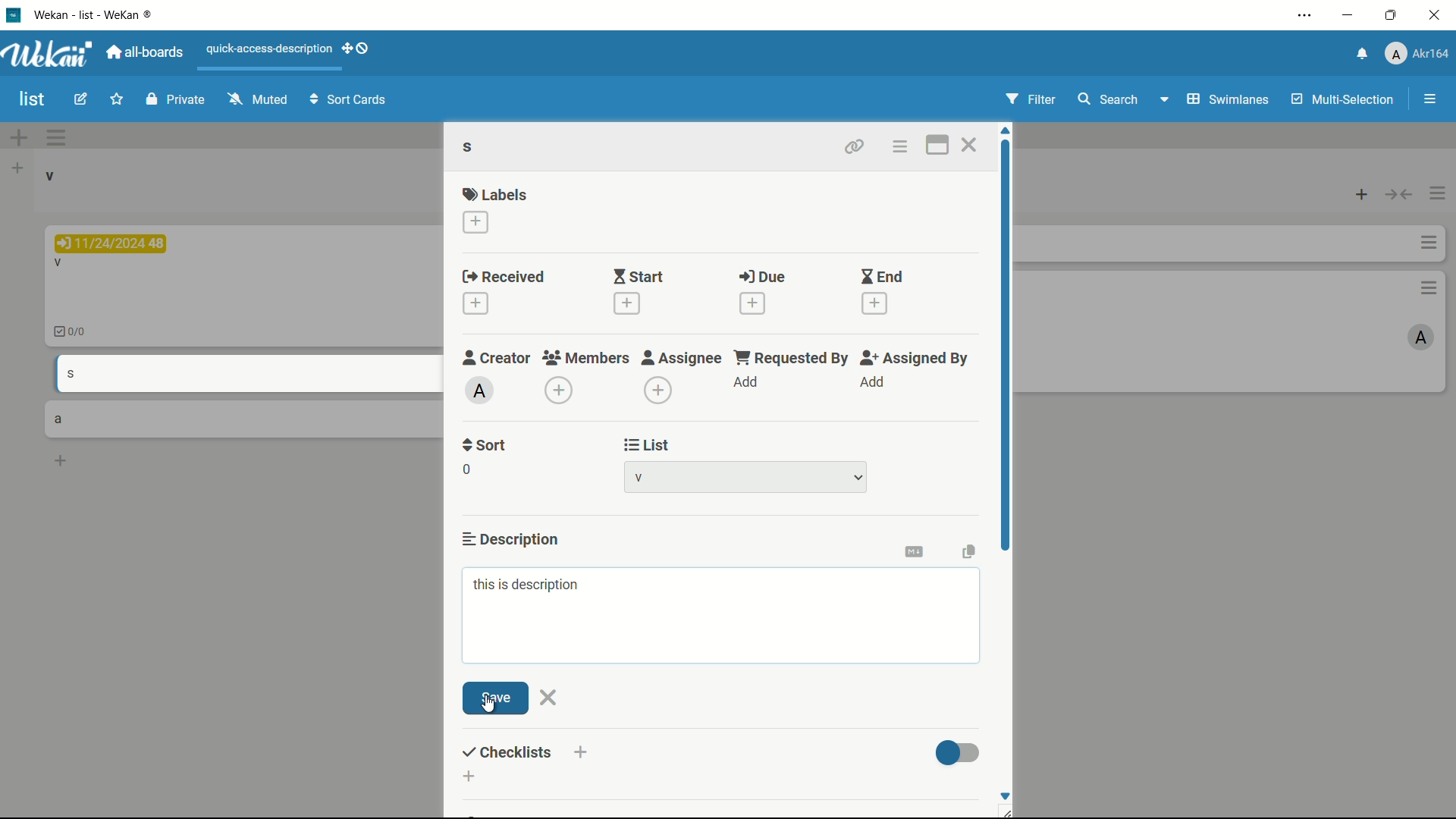 This screenshot has height=819, width=1456. I want to click on scroll bar, so click(1005, 374).